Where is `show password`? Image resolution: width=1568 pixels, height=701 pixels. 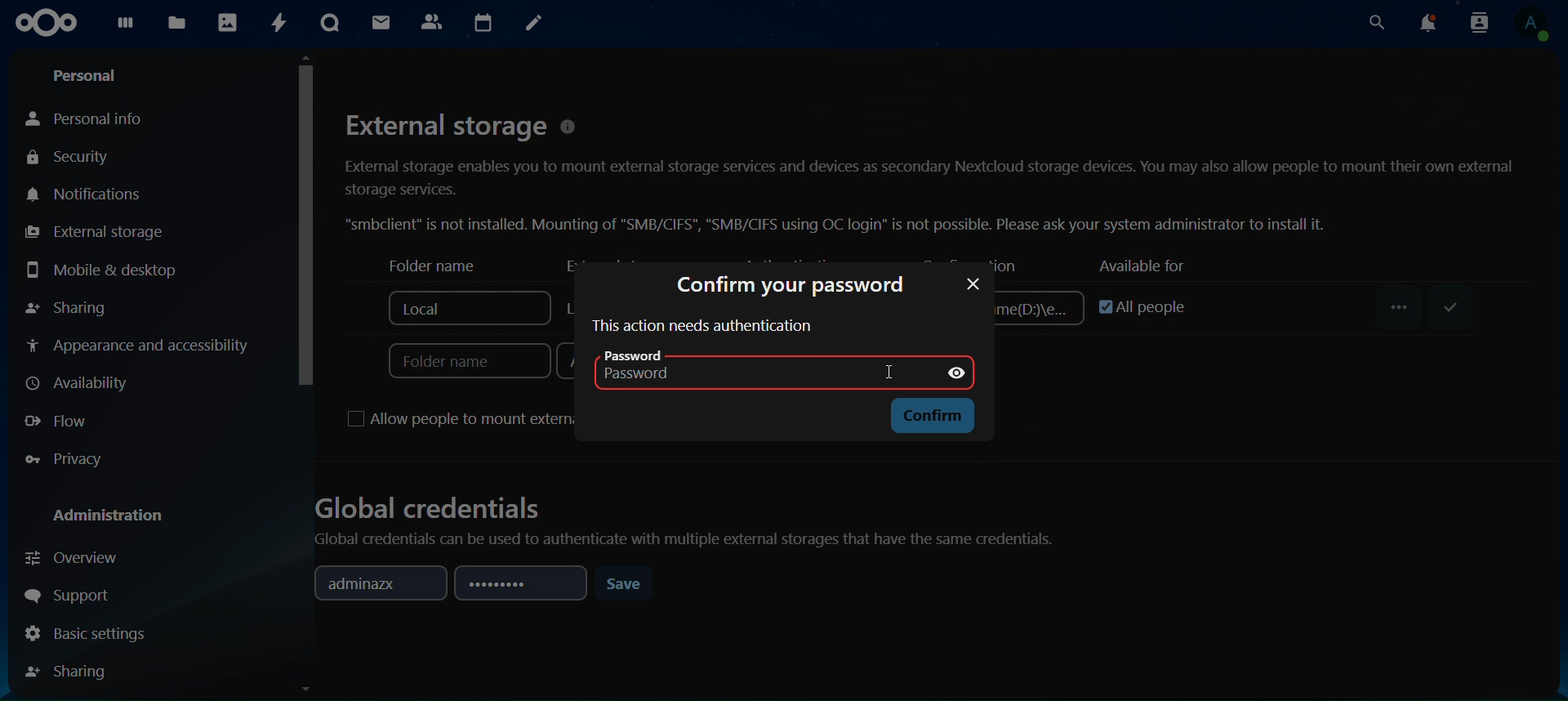
show password is located at coordinates (960, 371).